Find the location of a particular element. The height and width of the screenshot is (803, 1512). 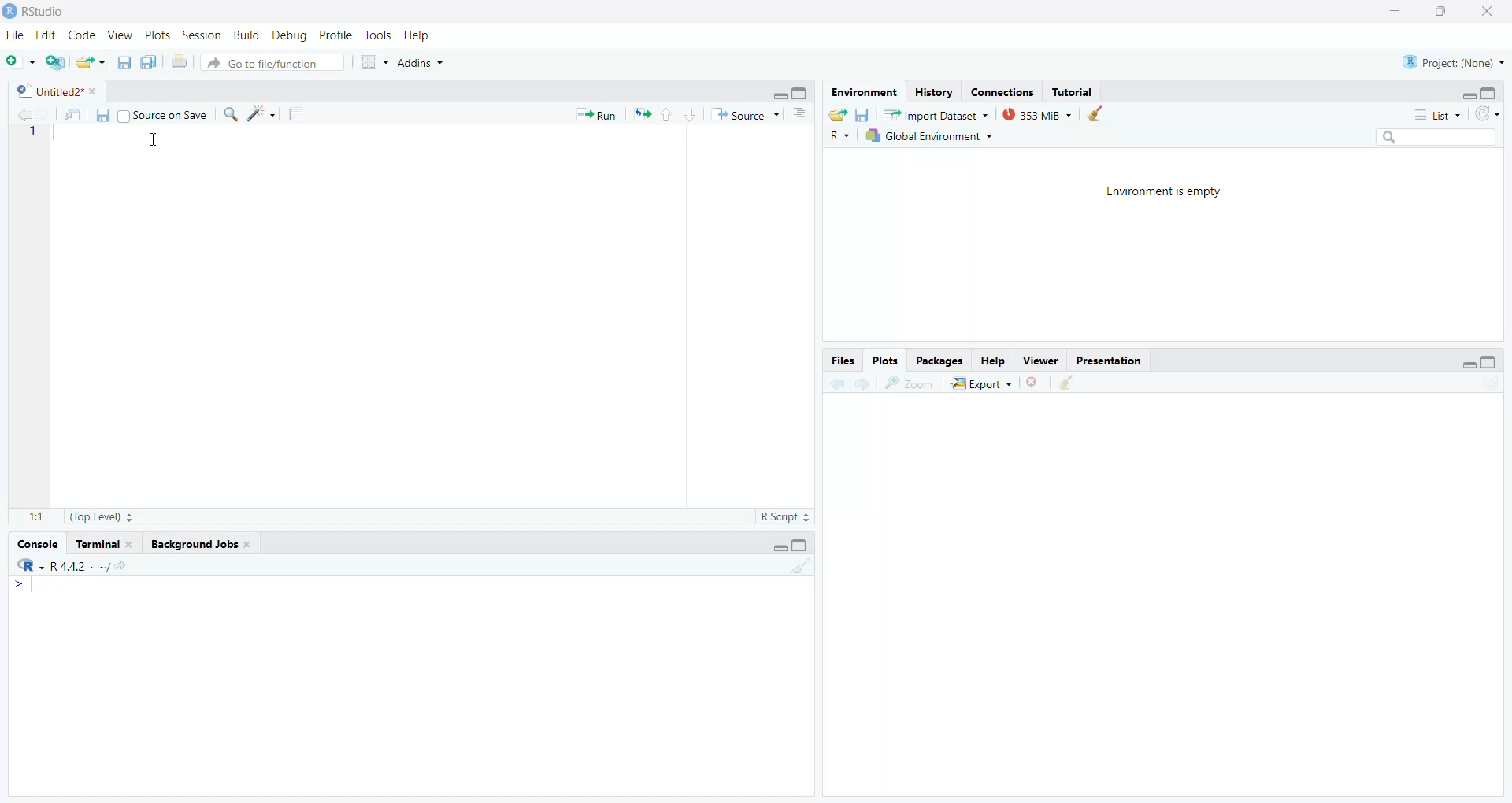

Plots is located at coordinates (887, 361).